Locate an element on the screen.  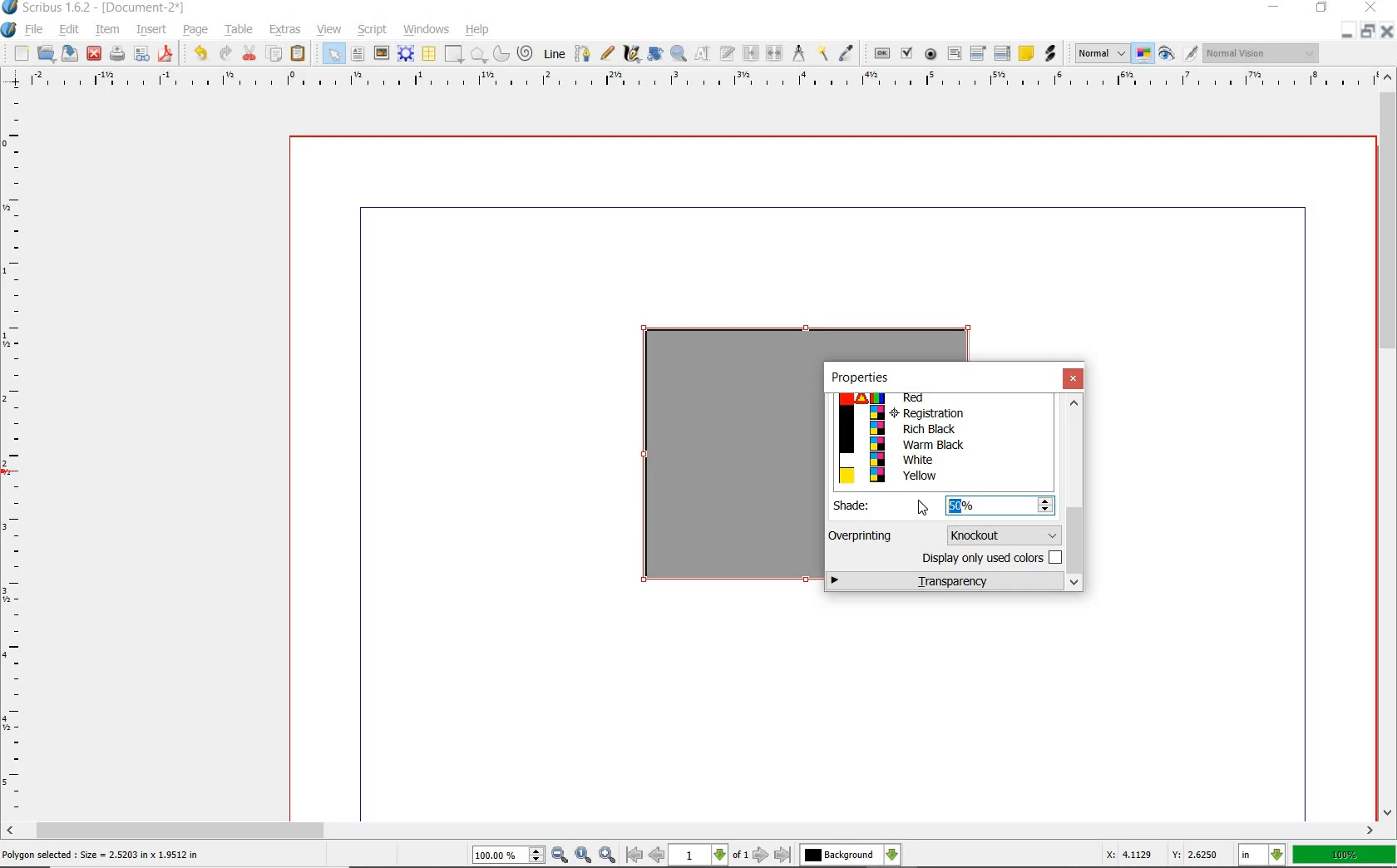
image preview quality is located at coordinates (1101, 54).